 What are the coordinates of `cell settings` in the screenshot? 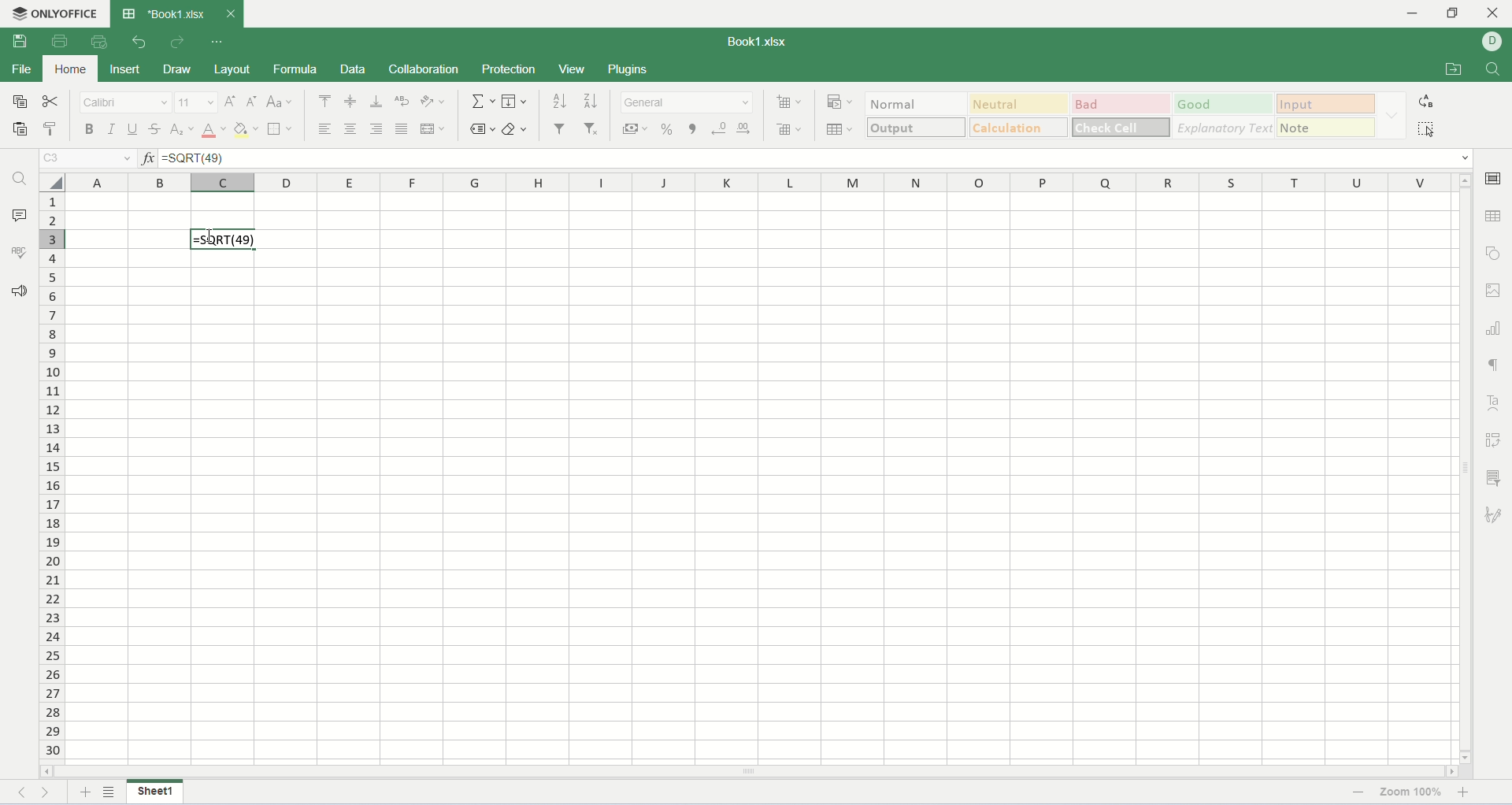 It's located at (1496, 176).